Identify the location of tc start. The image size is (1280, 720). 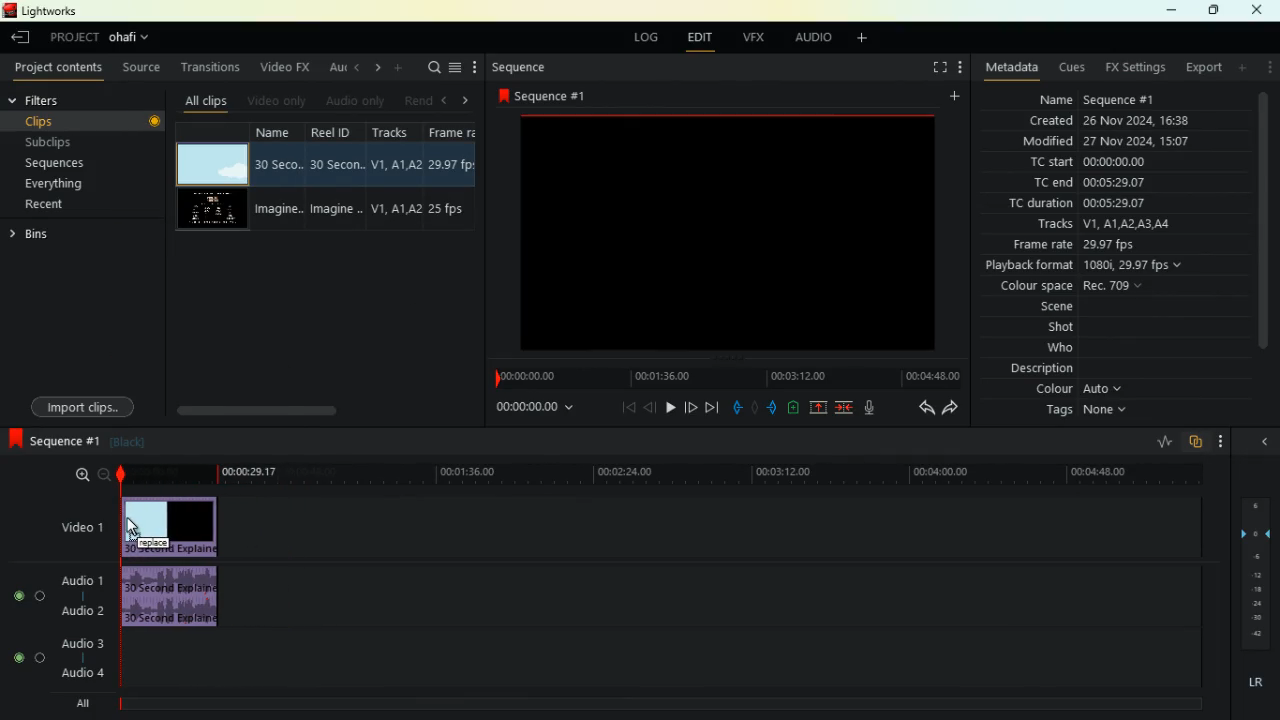
(1050, 163).